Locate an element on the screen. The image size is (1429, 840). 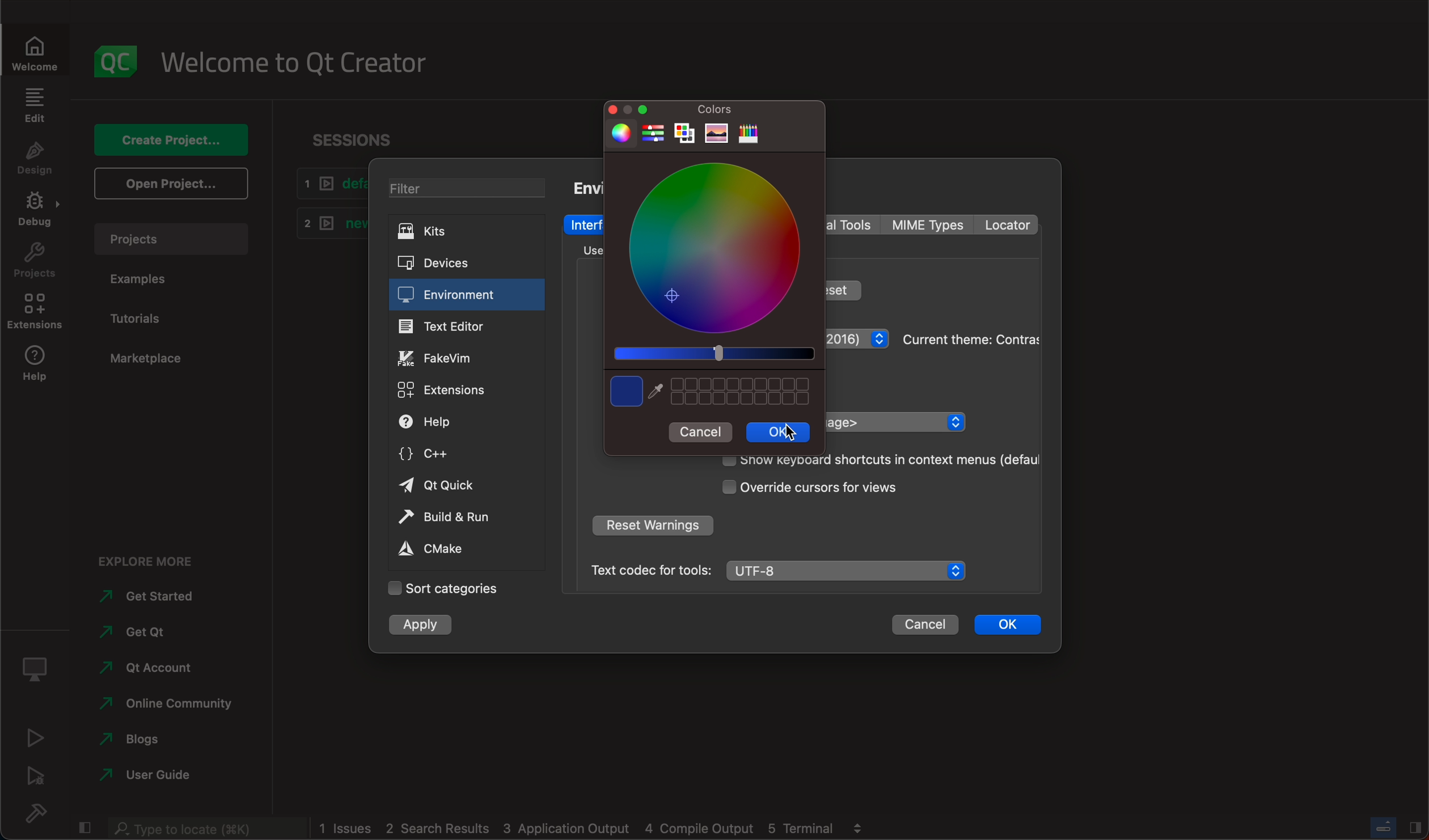
user  is located at coordinates (147, 774).